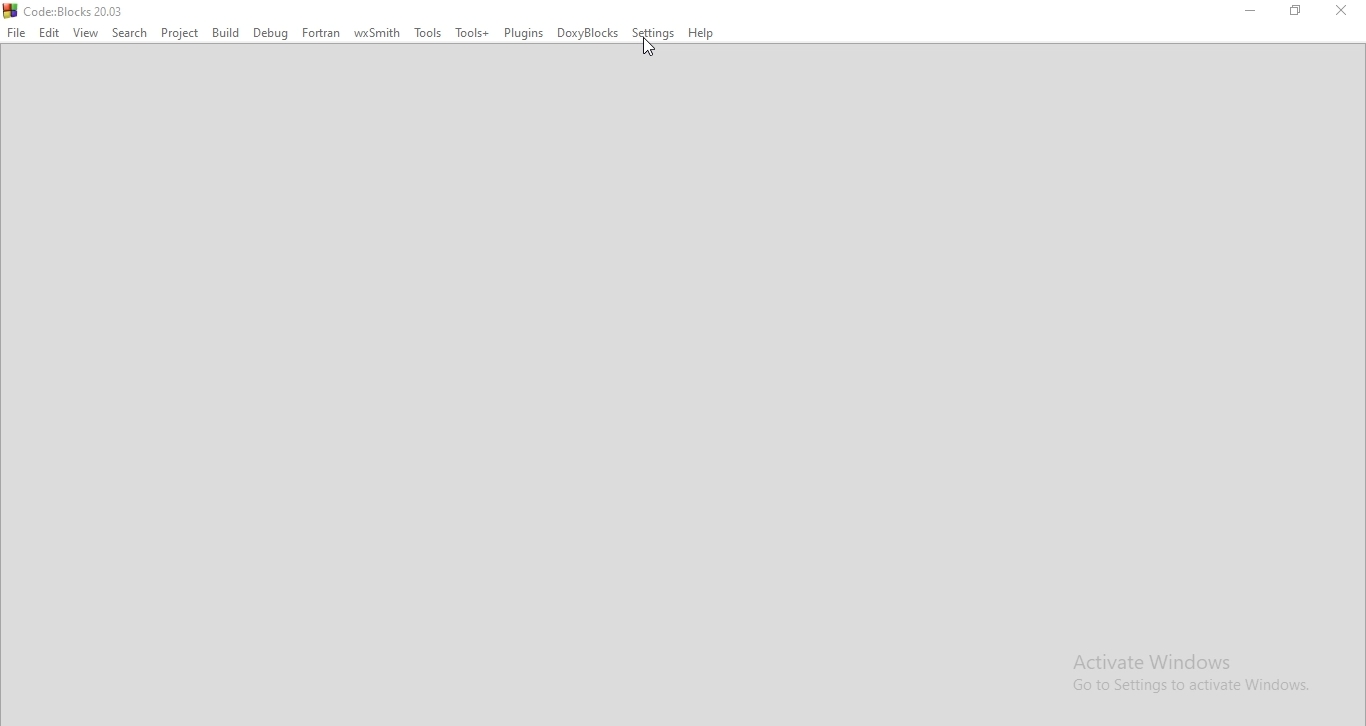 This screenshot has width=1366, height=726. What do you see at coordinates (16, 33) in the screenshot?
I see `File` at bounding box center [16, 33].